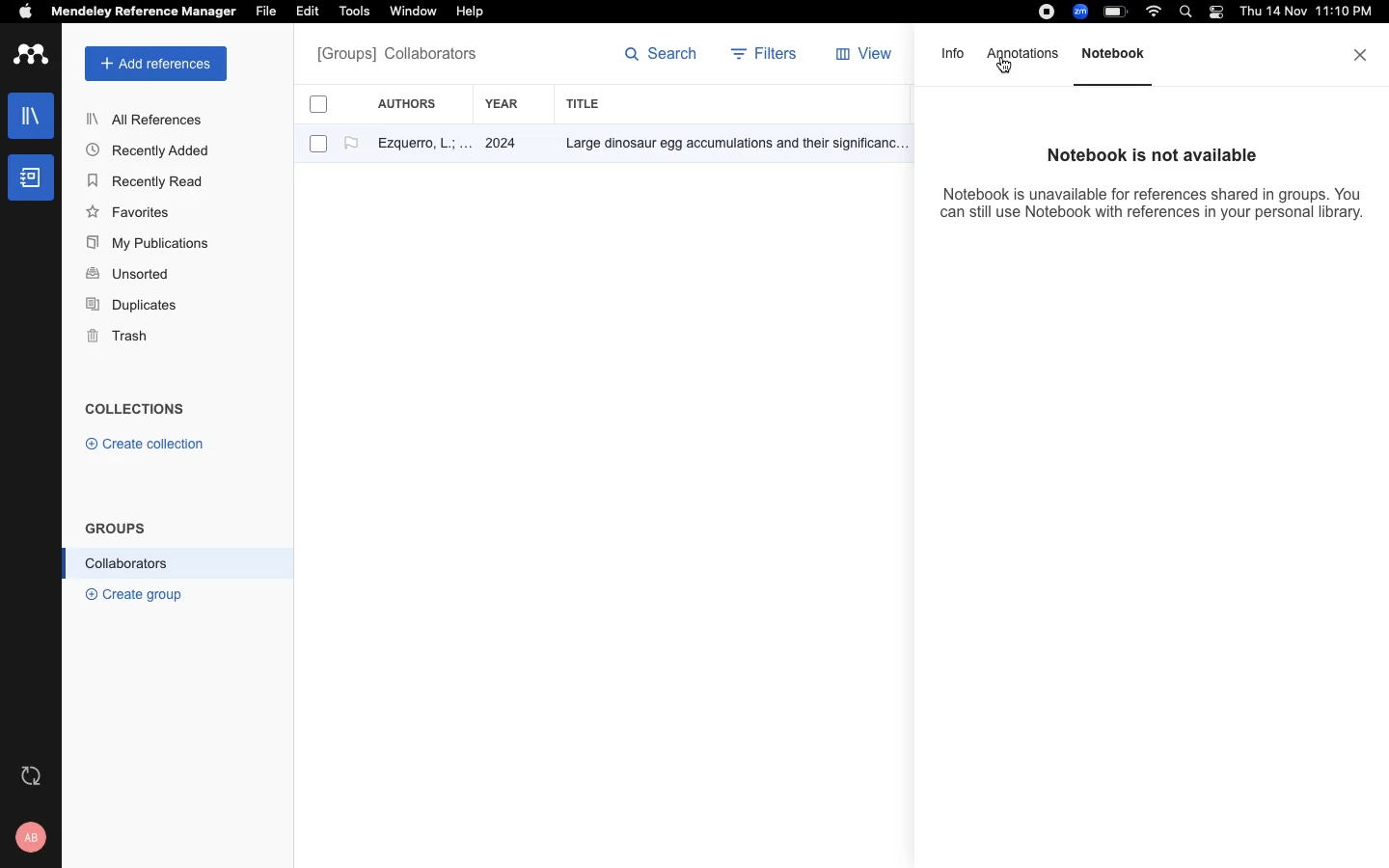 The image size is (1389, 868). What do you see at coordinates (418, 103) in the screenshot?
I see `authors` at bounding box center [418, 103].